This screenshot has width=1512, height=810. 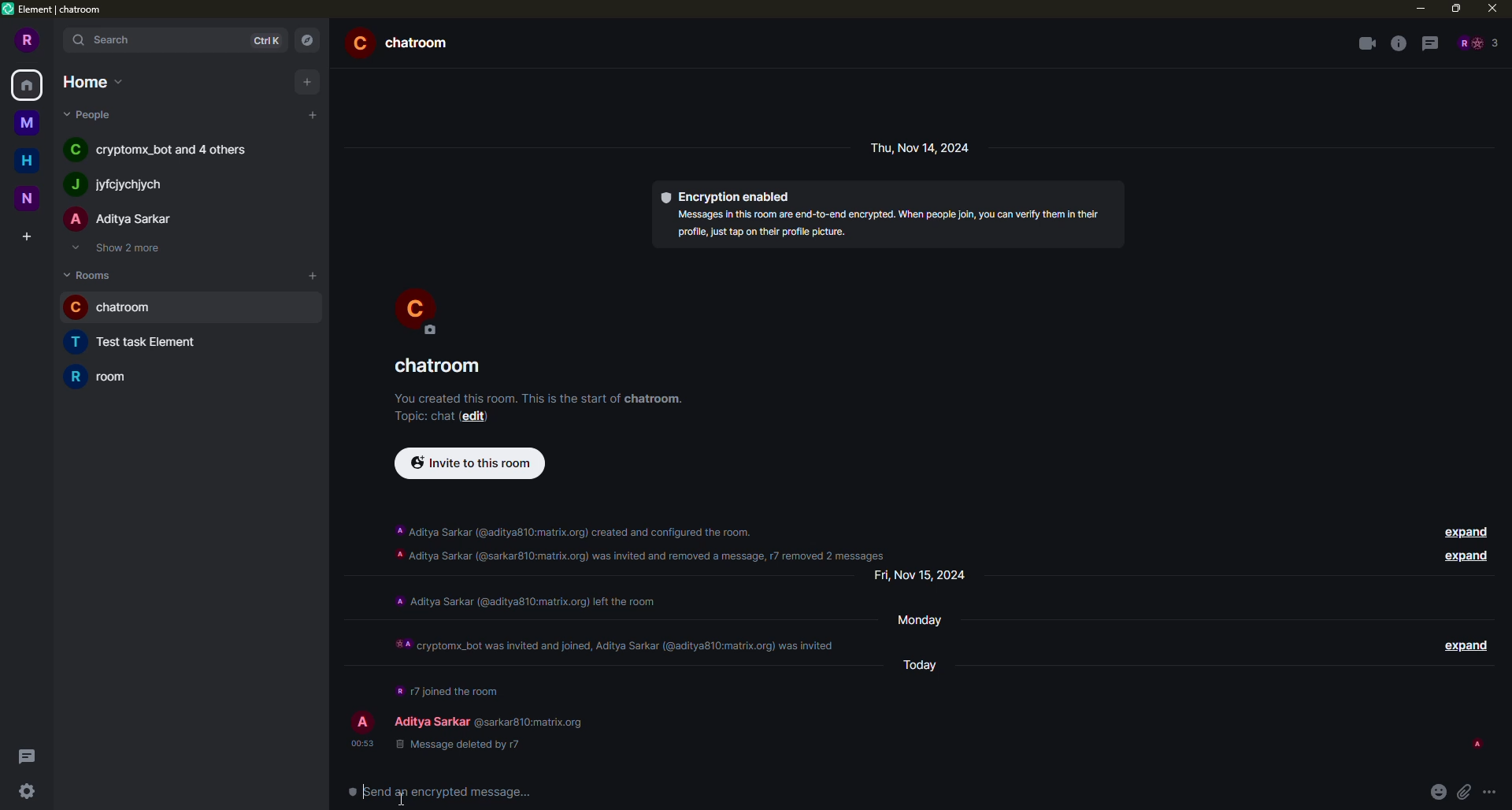 I want to click on room, so click(x=143, y=343).